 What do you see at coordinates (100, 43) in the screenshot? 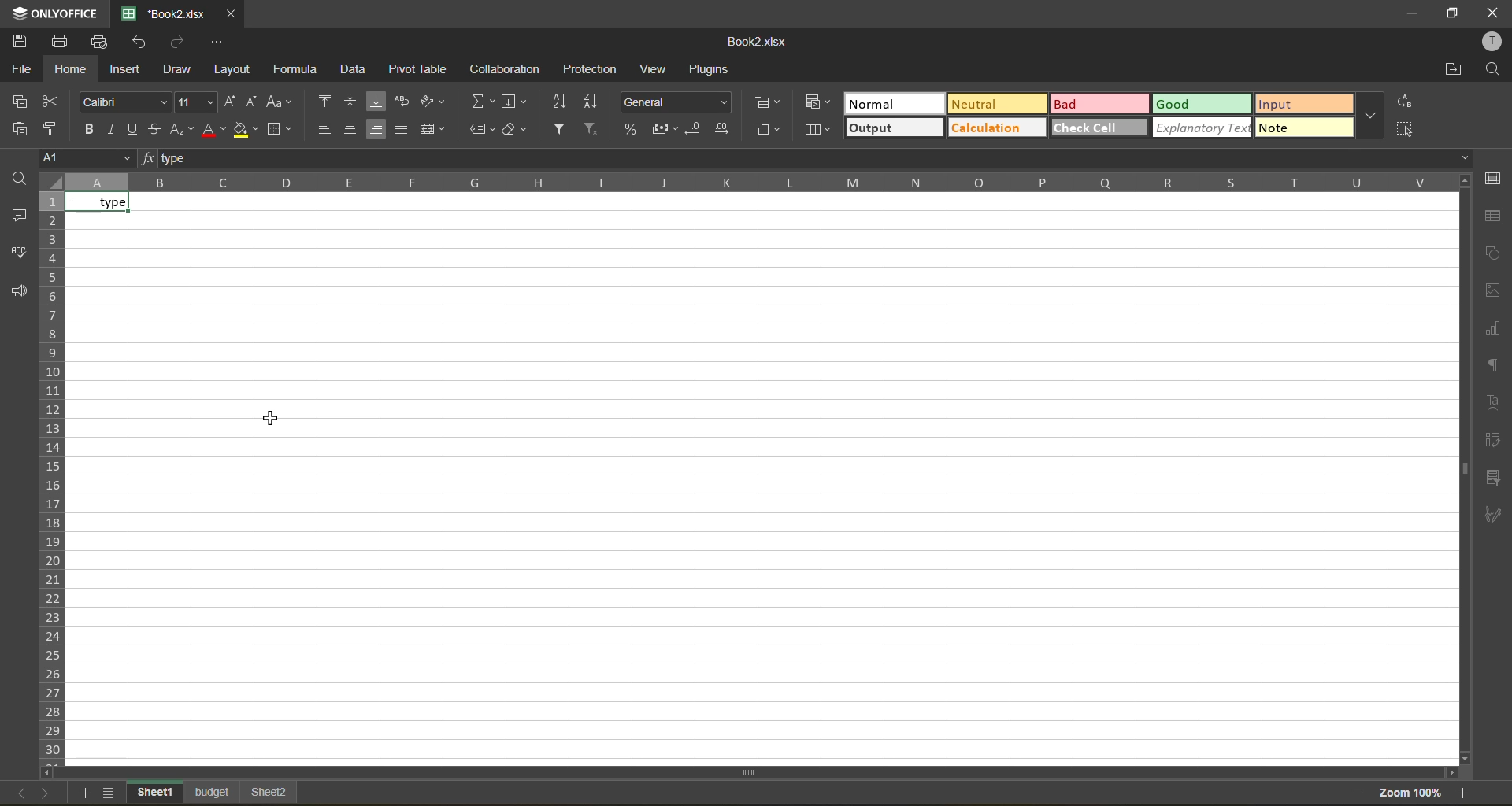
I see `quick print` at bounding box center [100, 43].